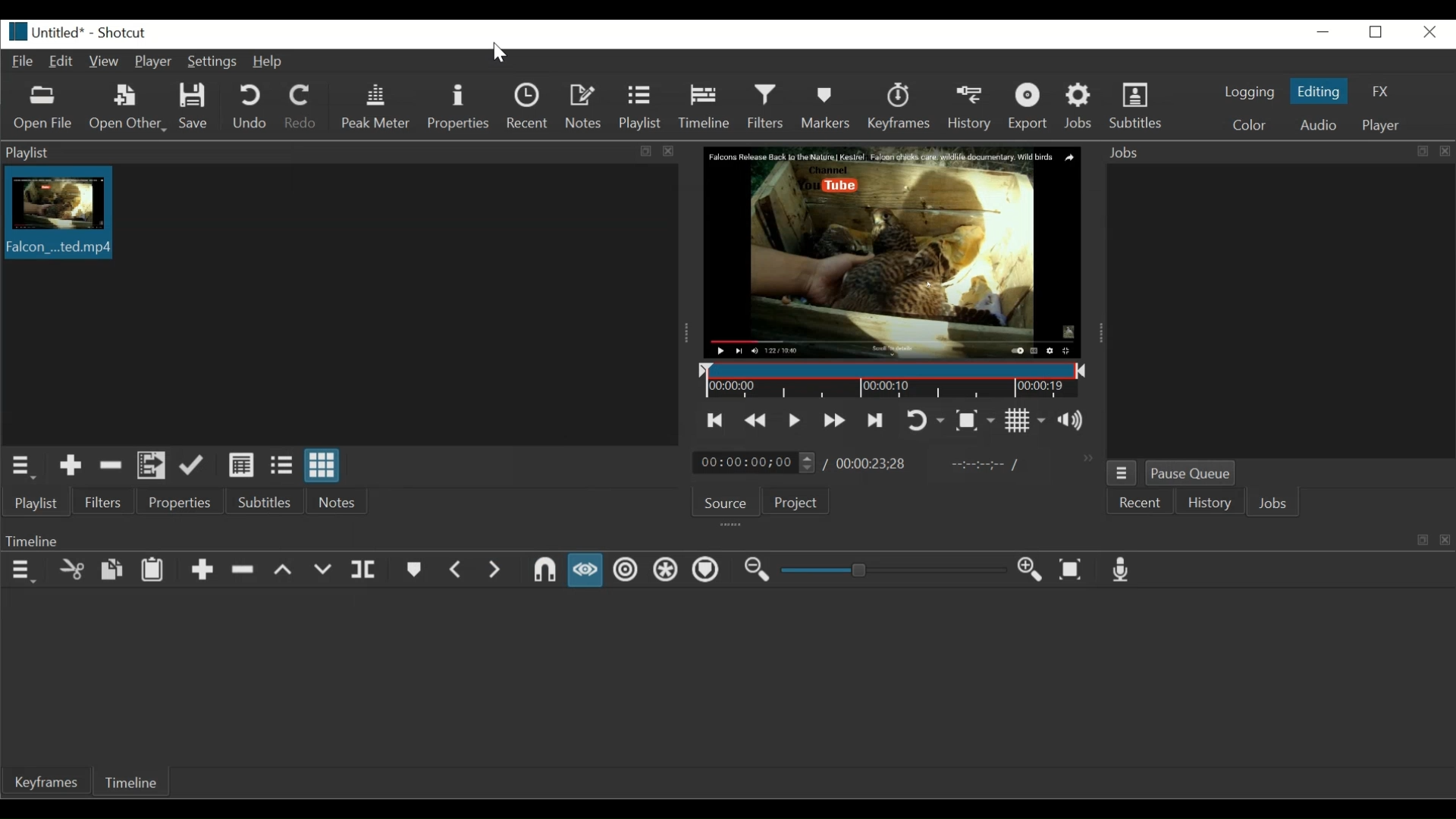 The image size is (1456, 819). What do you see at coordinates (1209, 503) in the screenshot?
I see `History` at bounding box center [1209, 503].